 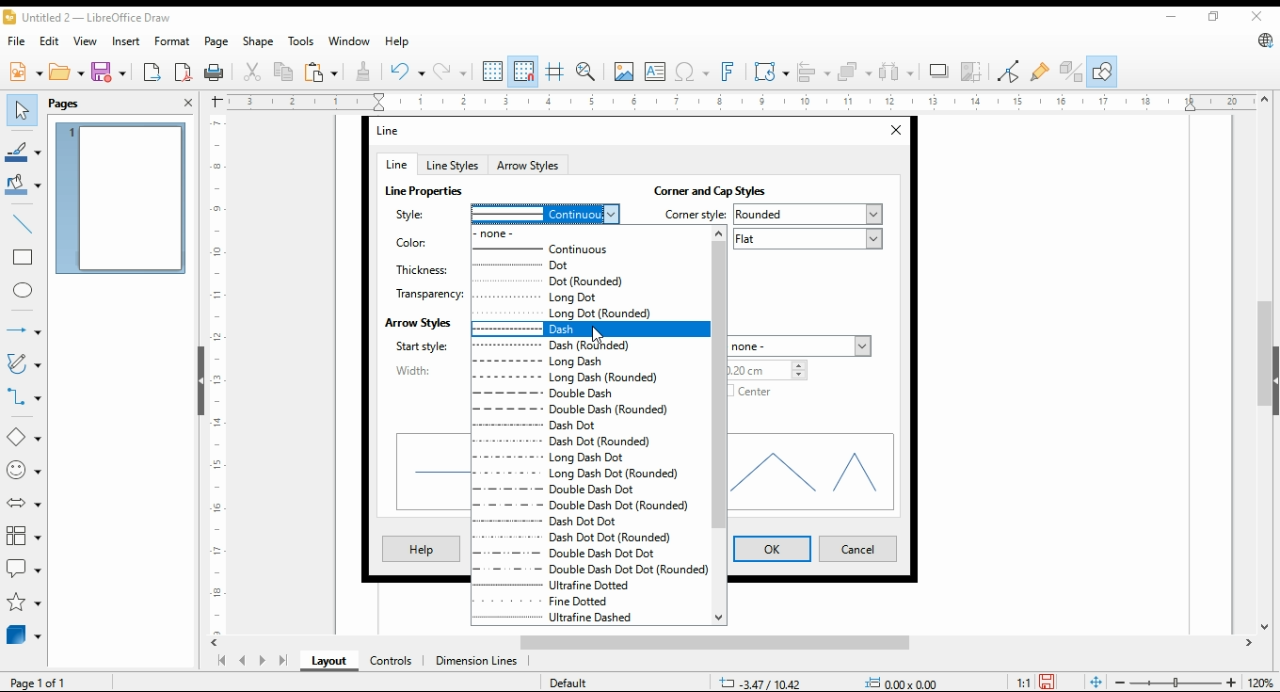 I want to click on dash rounded, so click(x=590, y=346).